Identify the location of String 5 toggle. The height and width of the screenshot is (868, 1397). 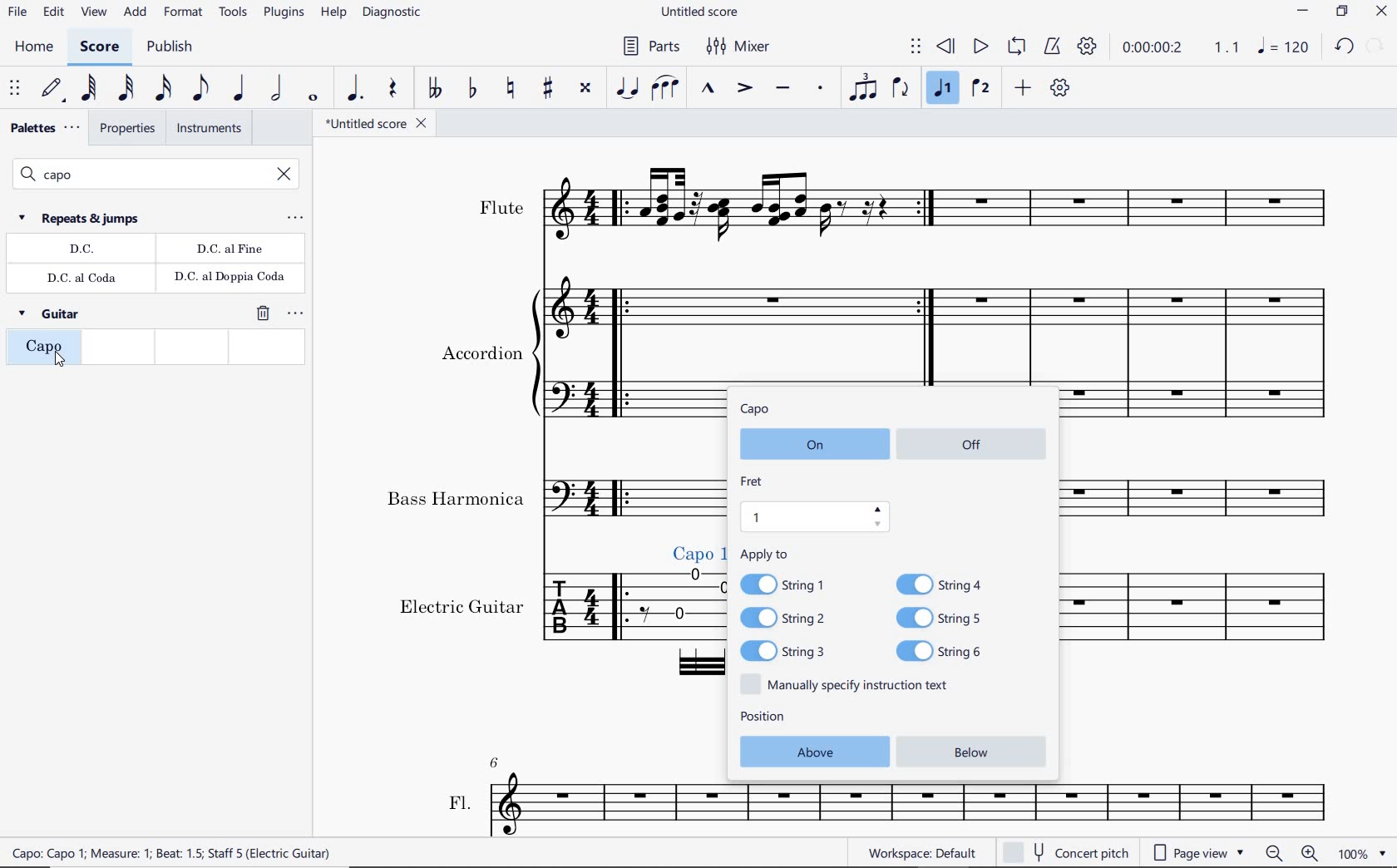
(949, 617).